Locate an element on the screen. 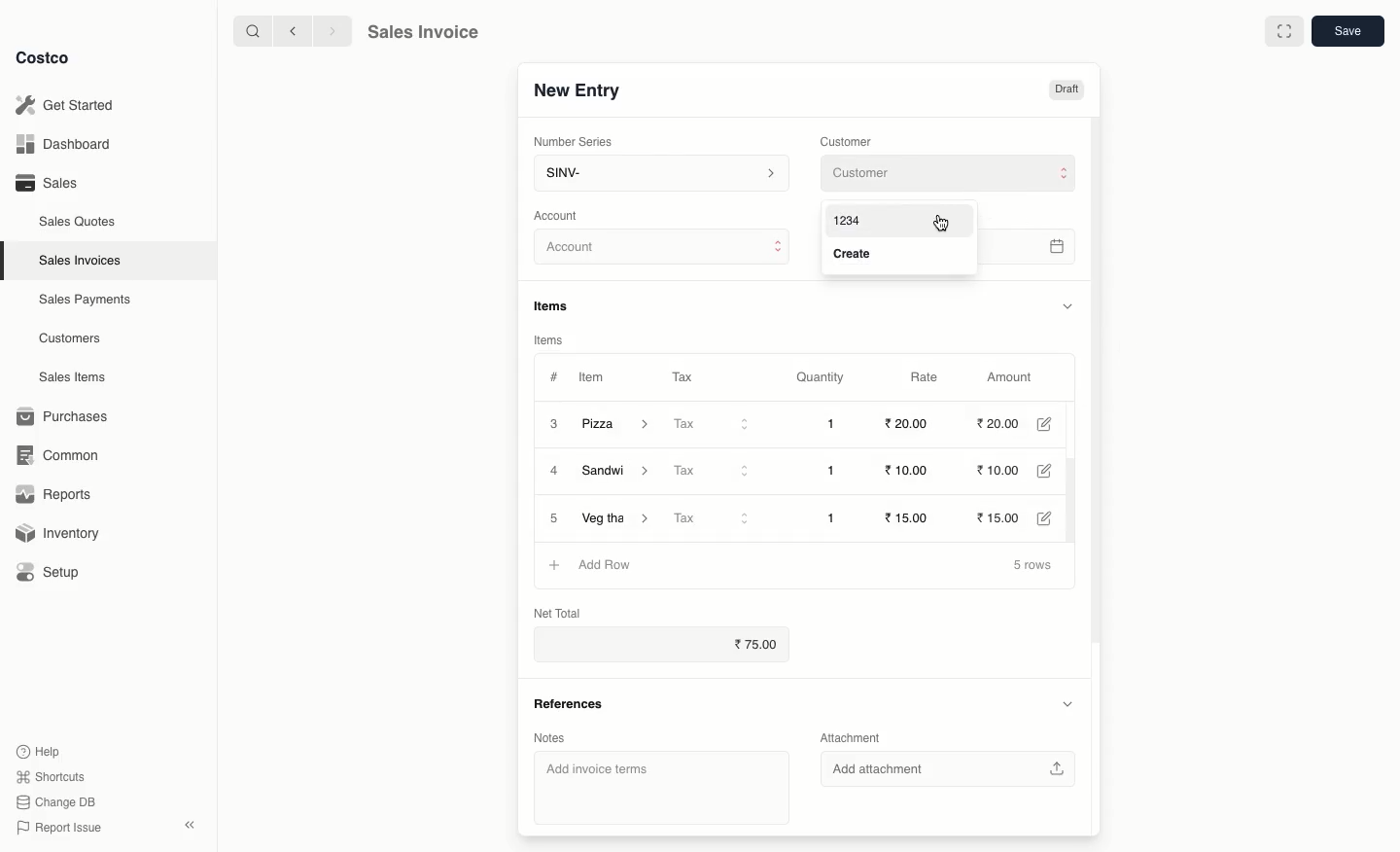 The image size is (1400, 852). Draft is located at coordinates (1067, 90).